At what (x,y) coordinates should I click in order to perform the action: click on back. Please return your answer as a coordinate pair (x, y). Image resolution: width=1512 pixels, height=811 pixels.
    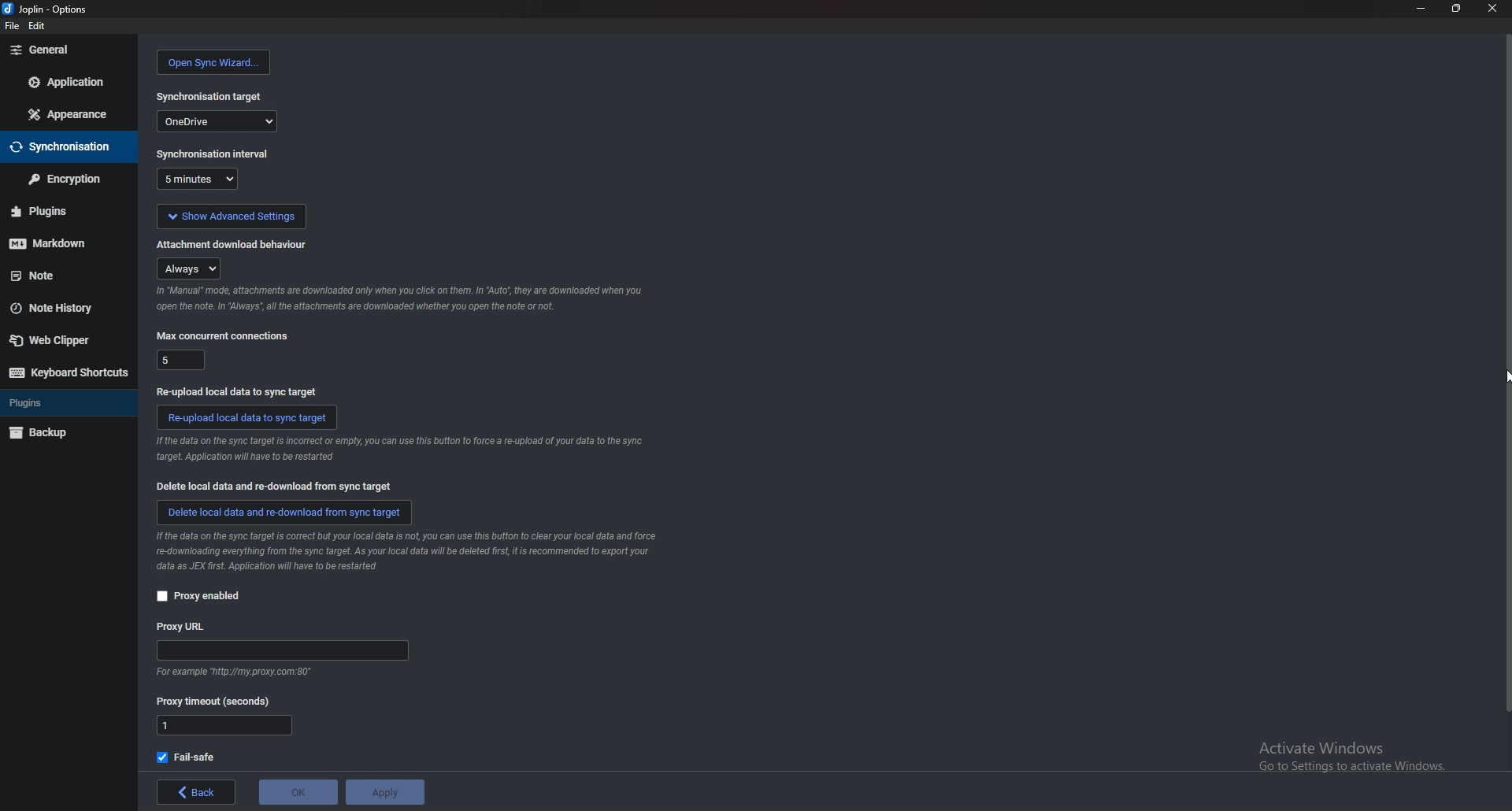
    Looking at the image, I should click on (199, 793).